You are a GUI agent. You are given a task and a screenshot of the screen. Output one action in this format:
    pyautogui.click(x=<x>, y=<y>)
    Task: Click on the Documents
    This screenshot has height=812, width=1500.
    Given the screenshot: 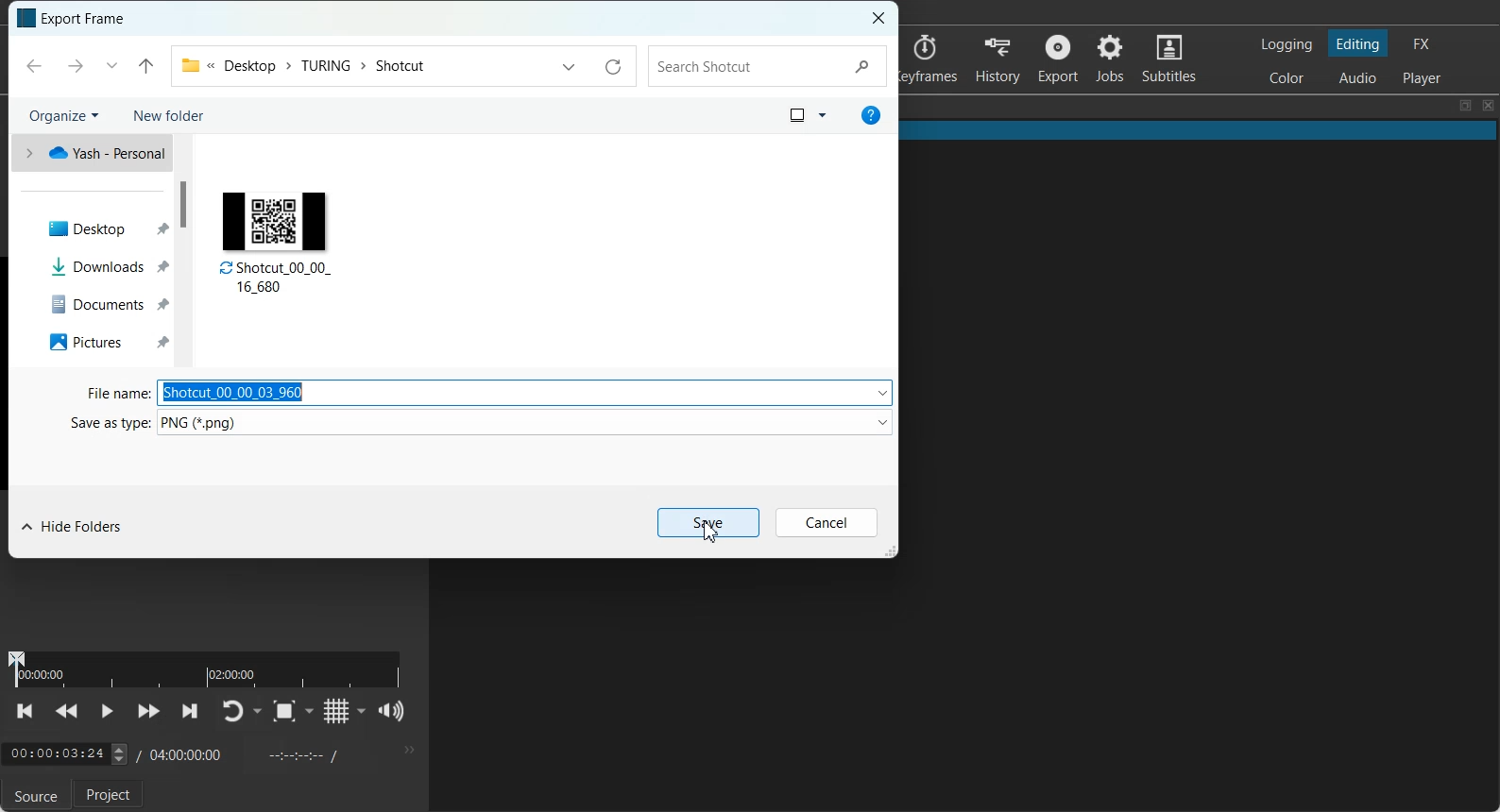 What is the action you would take?
    pyautogui.click(x=98, y=303)
    